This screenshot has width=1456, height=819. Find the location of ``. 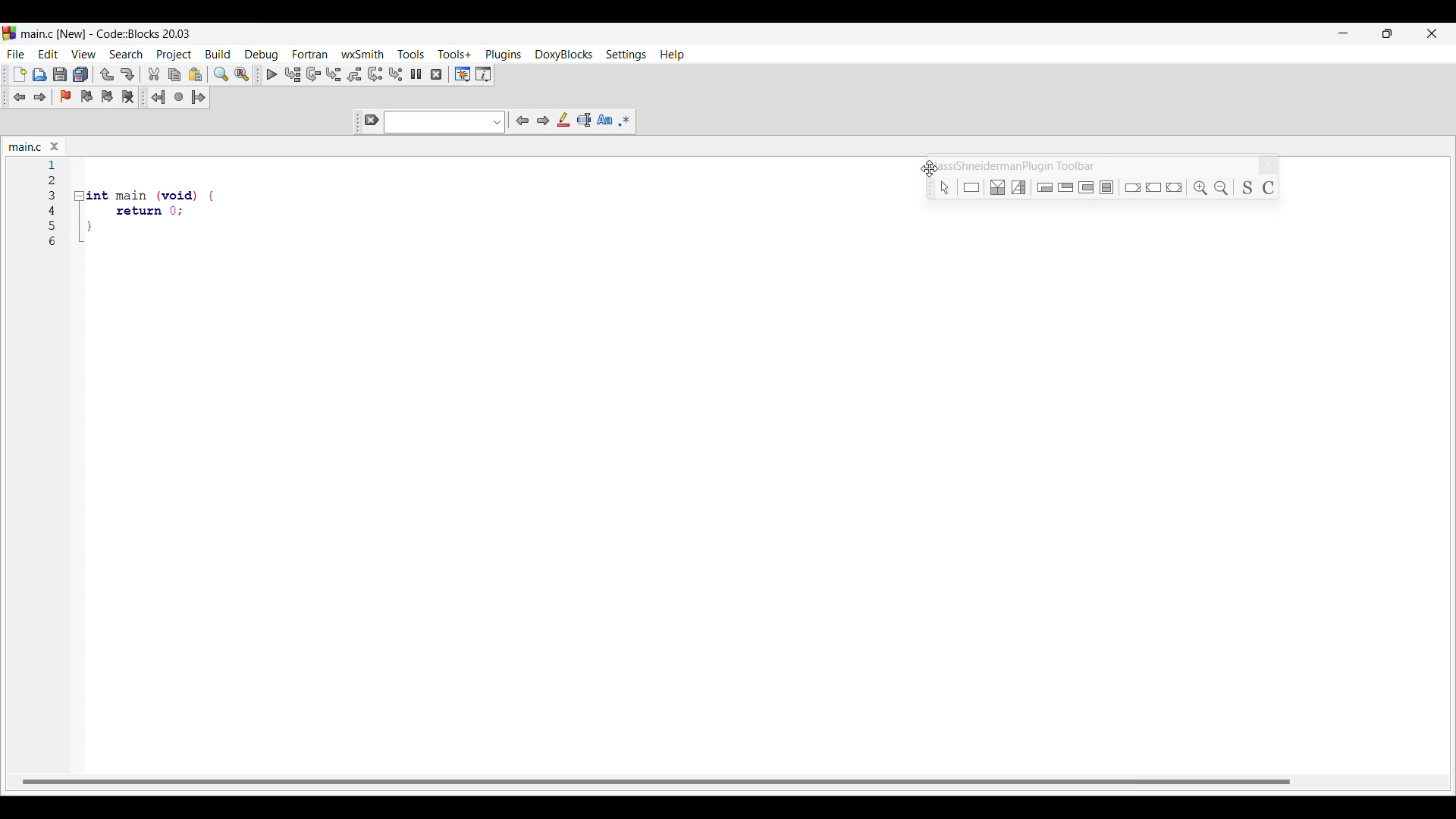

 is located at coordinates (55, 243).